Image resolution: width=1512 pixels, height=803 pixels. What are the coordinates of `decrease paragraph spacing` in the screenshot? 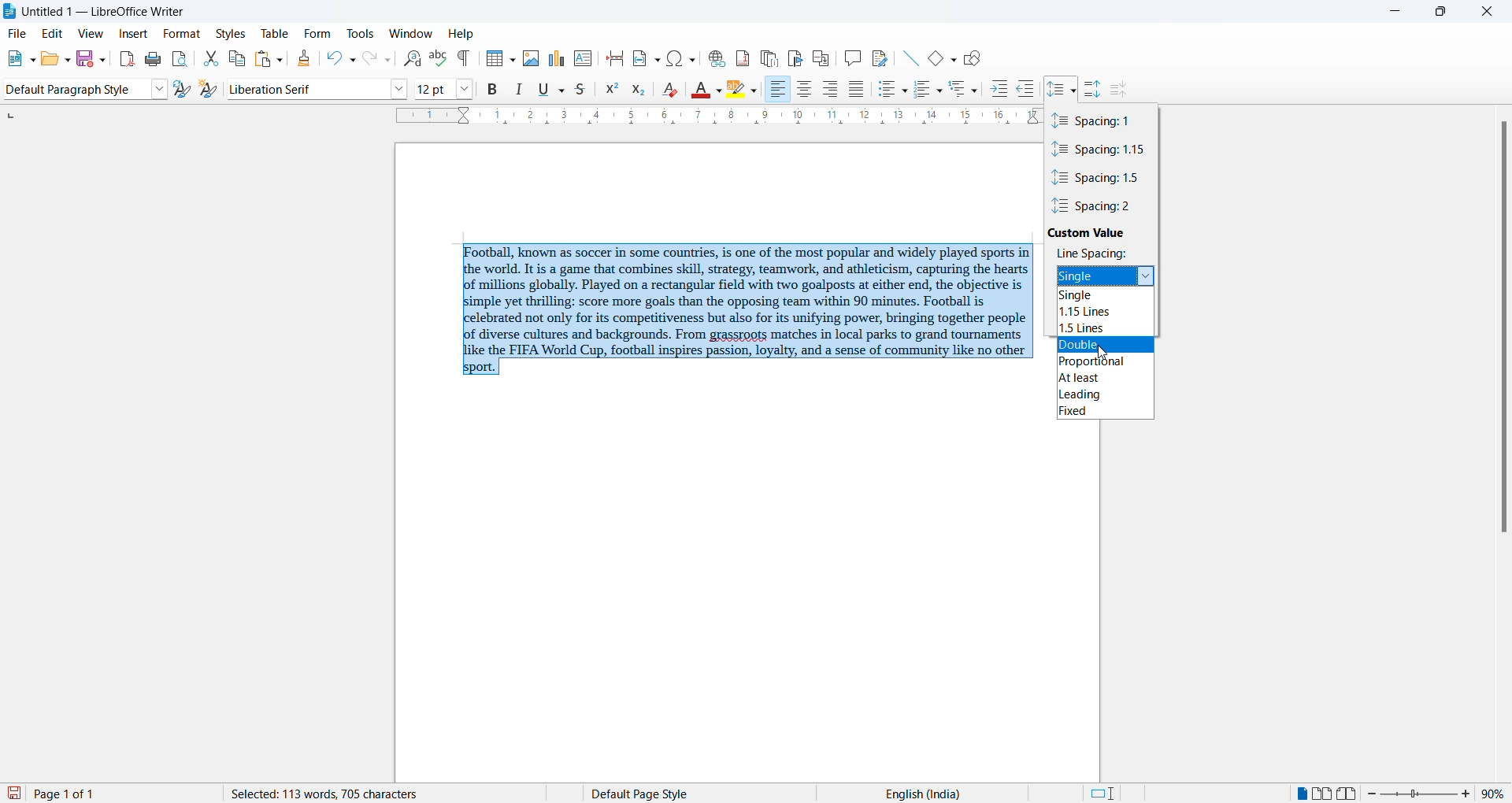 It's located at (1121, 90).